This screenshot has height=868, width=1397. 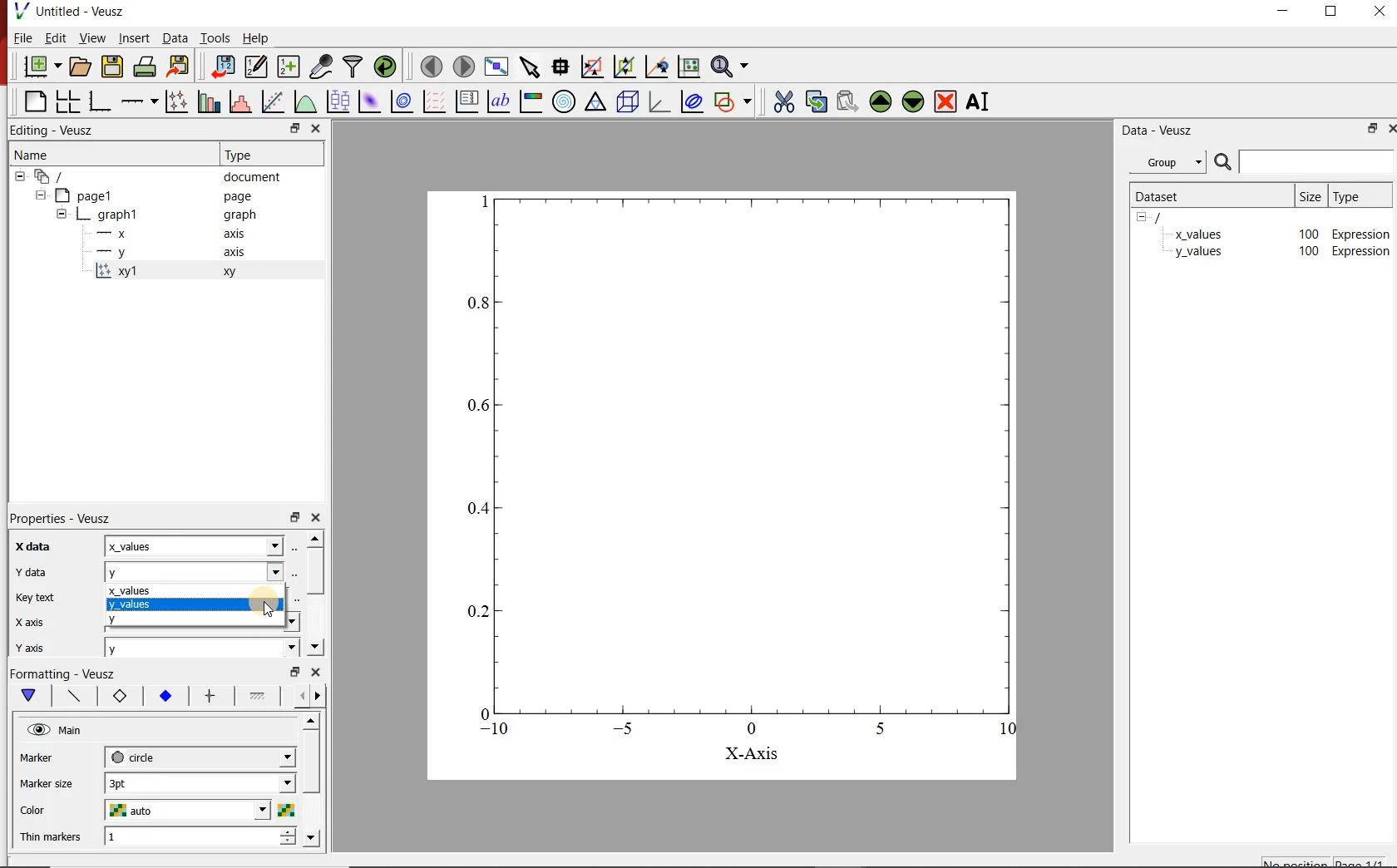 What do you see at coordinates (1311, 196) in the screenshot?
I see `size ` at bounding box center [1311, 196].